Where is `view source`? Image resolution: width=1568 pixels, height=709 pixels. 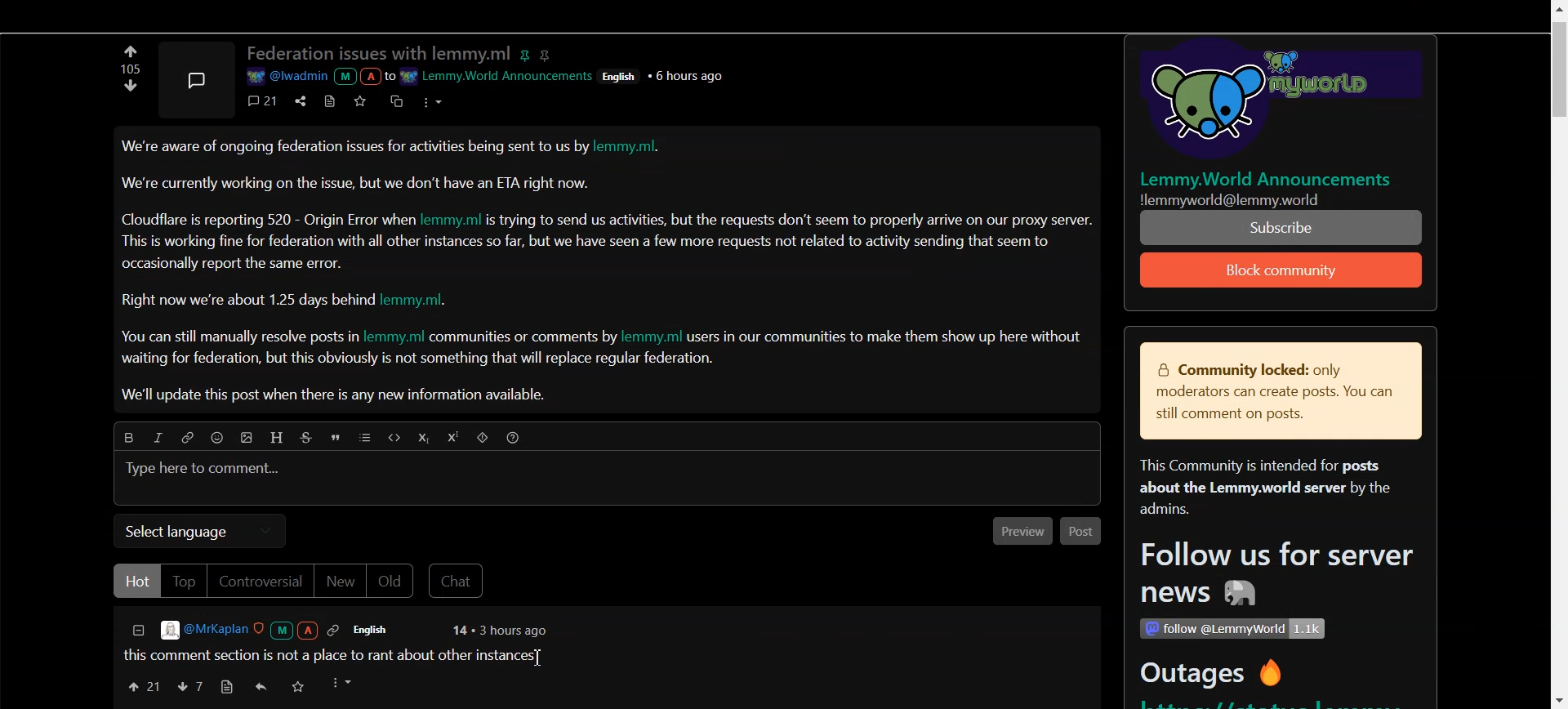
view source is located at coordinates (330, 100).